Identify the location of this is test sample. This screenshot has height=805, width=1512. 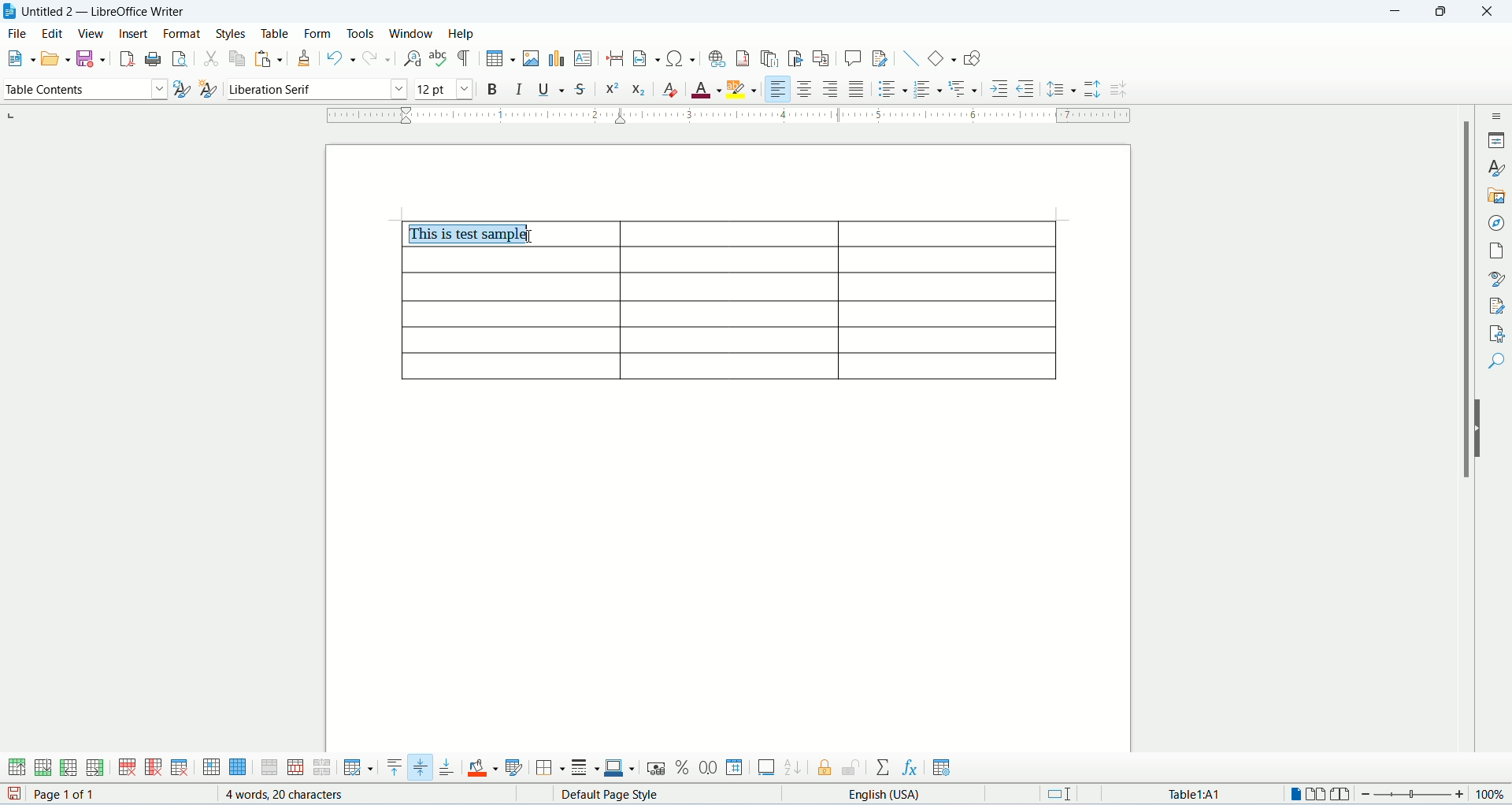
(472, 234).